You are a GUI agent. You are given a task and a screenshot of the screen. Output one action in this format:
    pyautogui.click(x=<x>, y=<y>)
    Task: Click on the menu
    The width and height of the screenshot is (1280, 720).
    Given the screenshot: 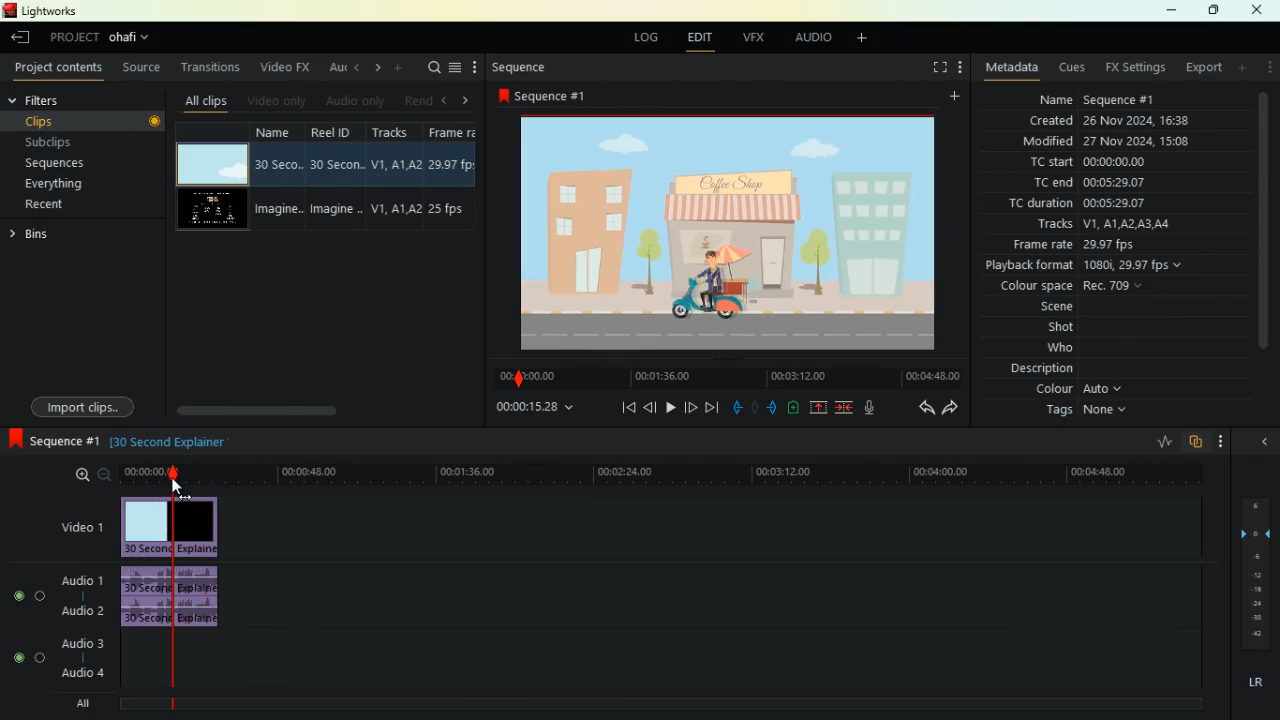 What is the action you would take?
    pyautogui.click(x=965, y=67)
    